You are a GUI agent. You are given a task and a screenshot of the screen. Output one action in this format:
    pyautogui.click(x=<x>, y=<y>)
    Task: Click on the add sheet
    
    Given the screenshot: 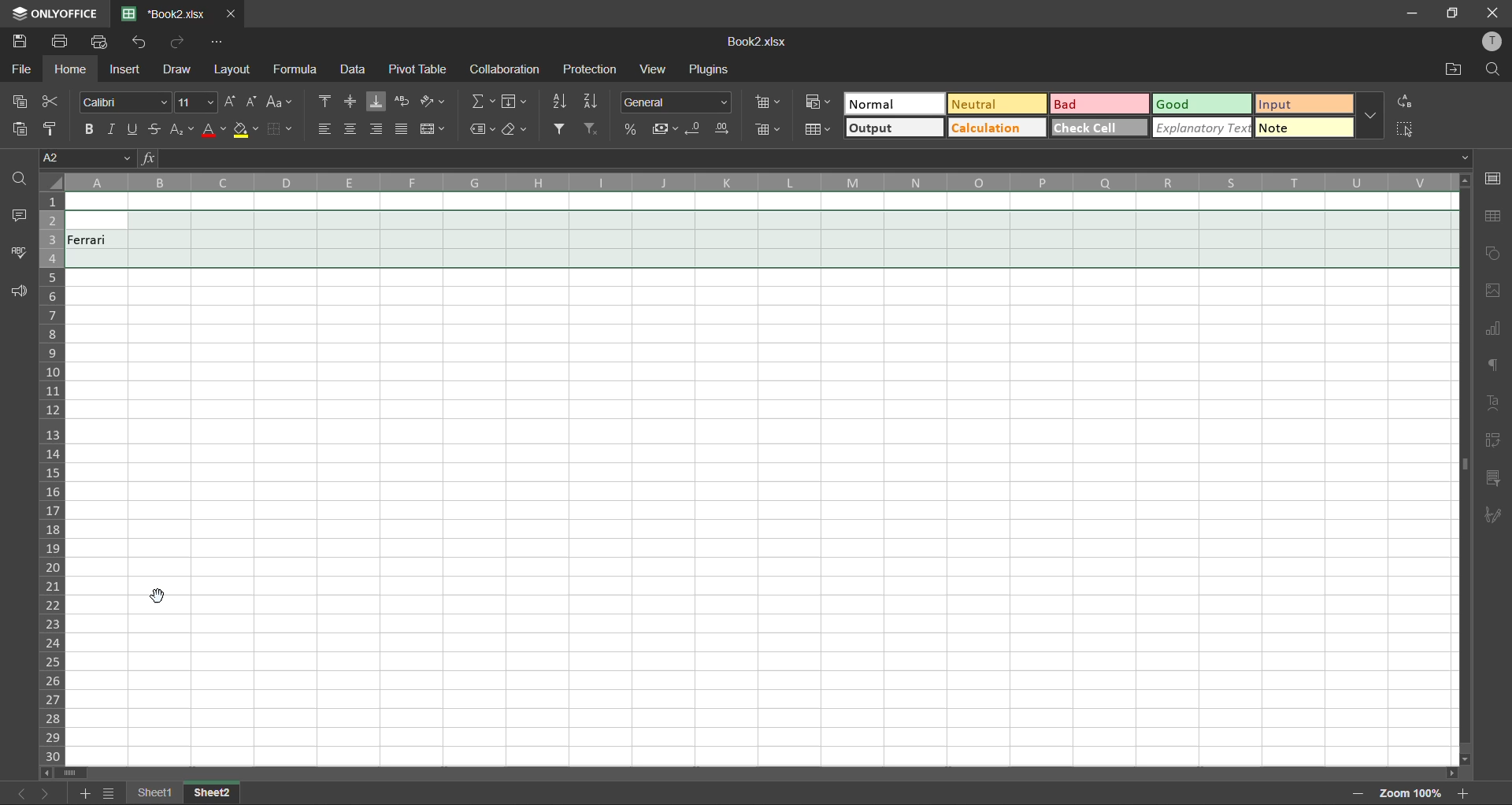 What is the action you would take?
    pyautogui.click(x=84, y=792)
    